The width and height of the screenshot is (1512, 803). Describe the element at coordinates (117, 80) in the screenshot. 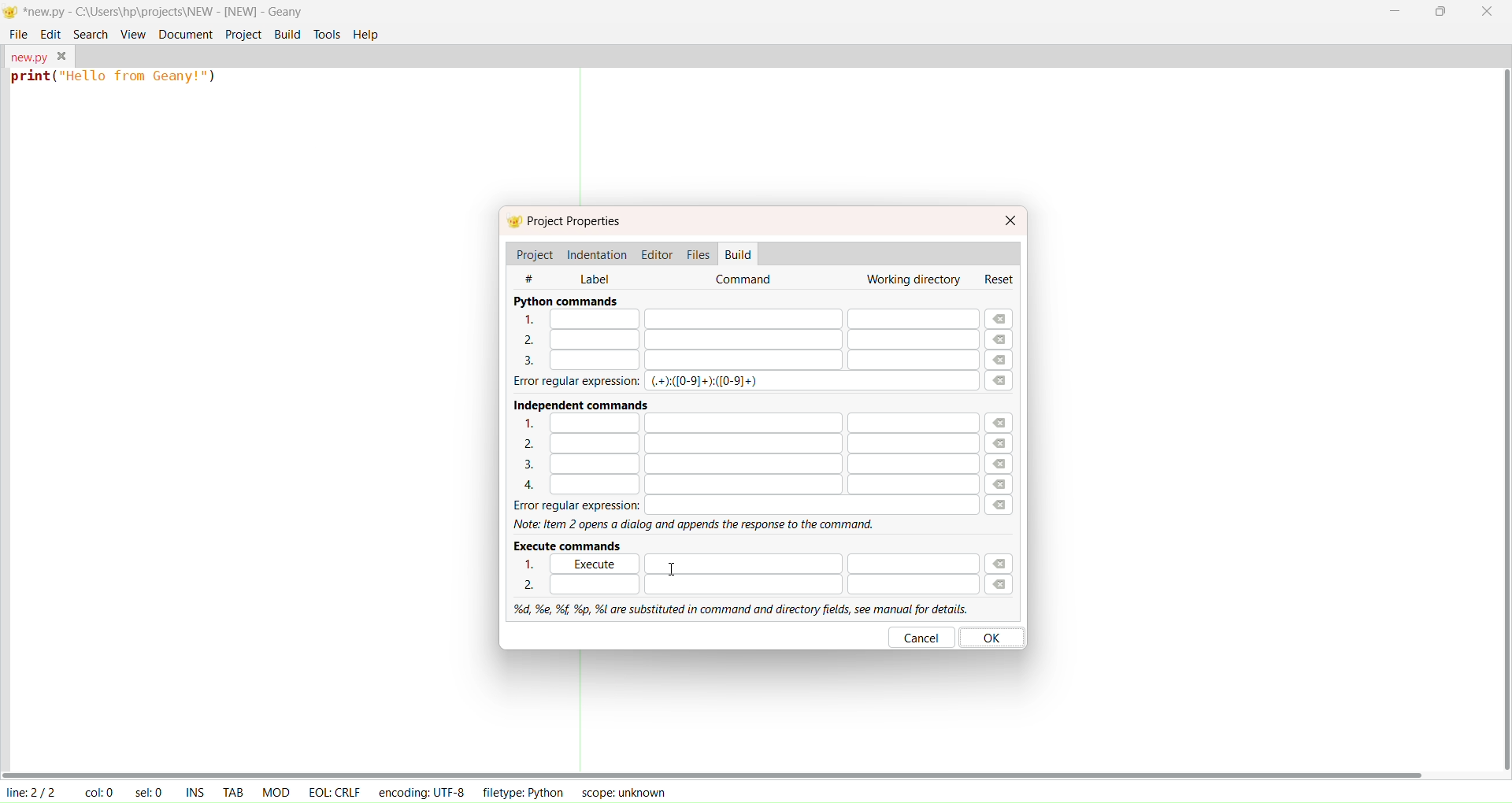

I see `Print ("Hello from Granny!")` at that location.